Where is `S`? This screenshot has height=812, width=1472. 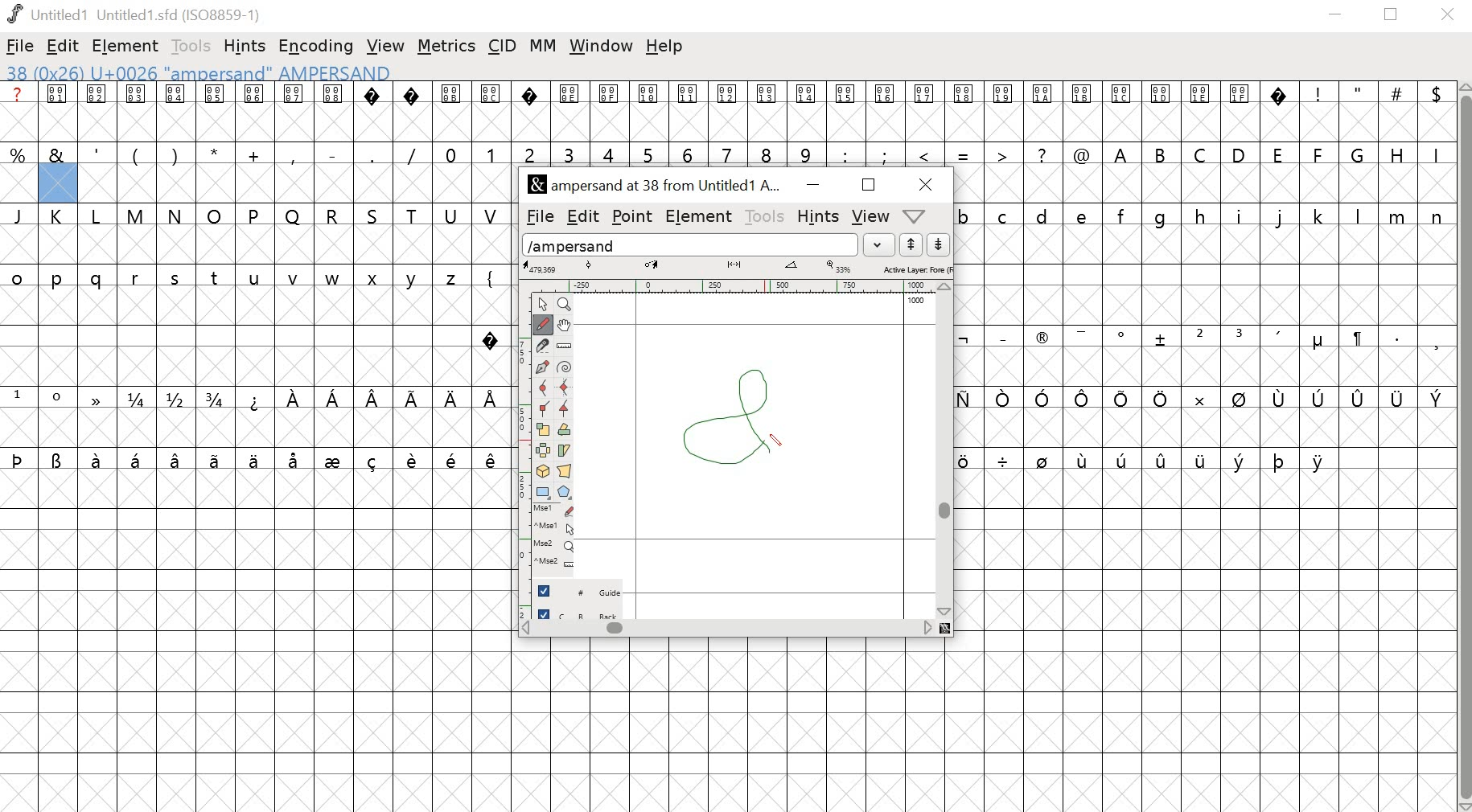 S is located at coordinates (375, 215).